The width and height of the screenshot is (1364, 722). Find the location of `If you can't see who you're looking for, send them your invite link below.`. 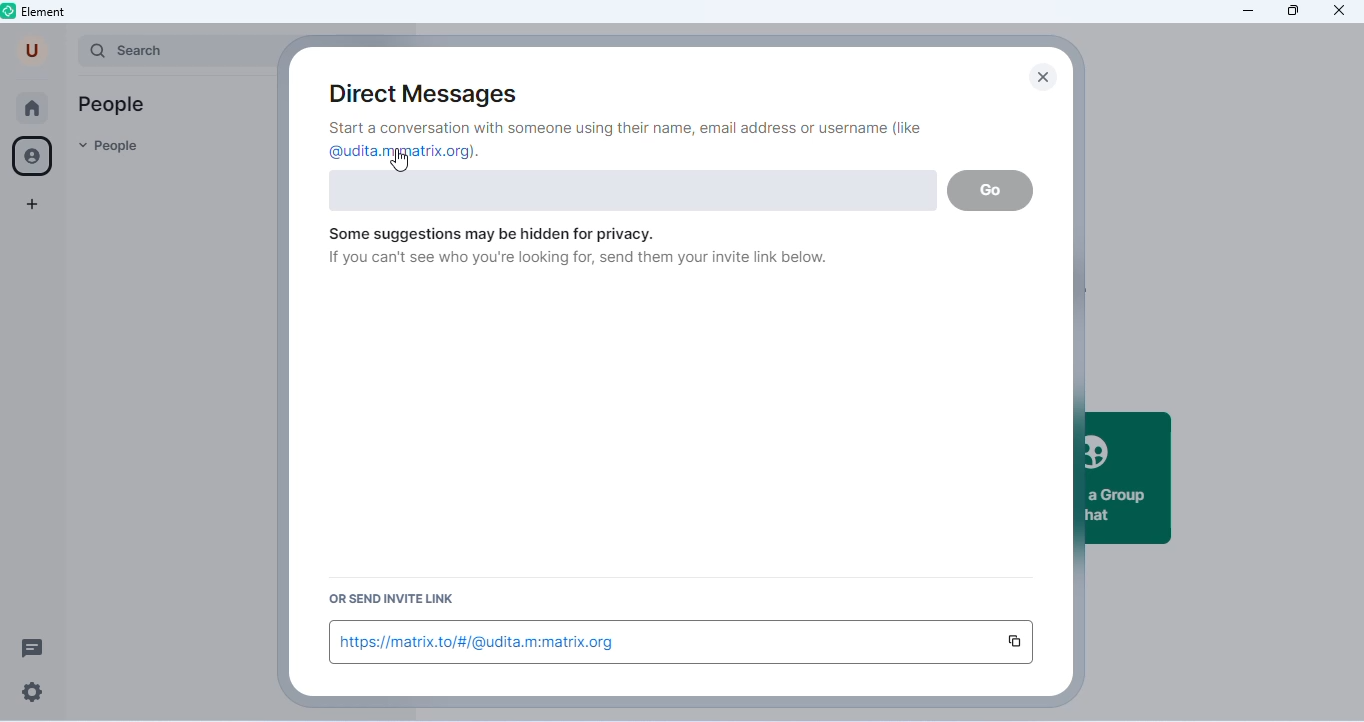

If you can't see who you're looking for, send them your invite link below. is located at coordinates (577, 258).